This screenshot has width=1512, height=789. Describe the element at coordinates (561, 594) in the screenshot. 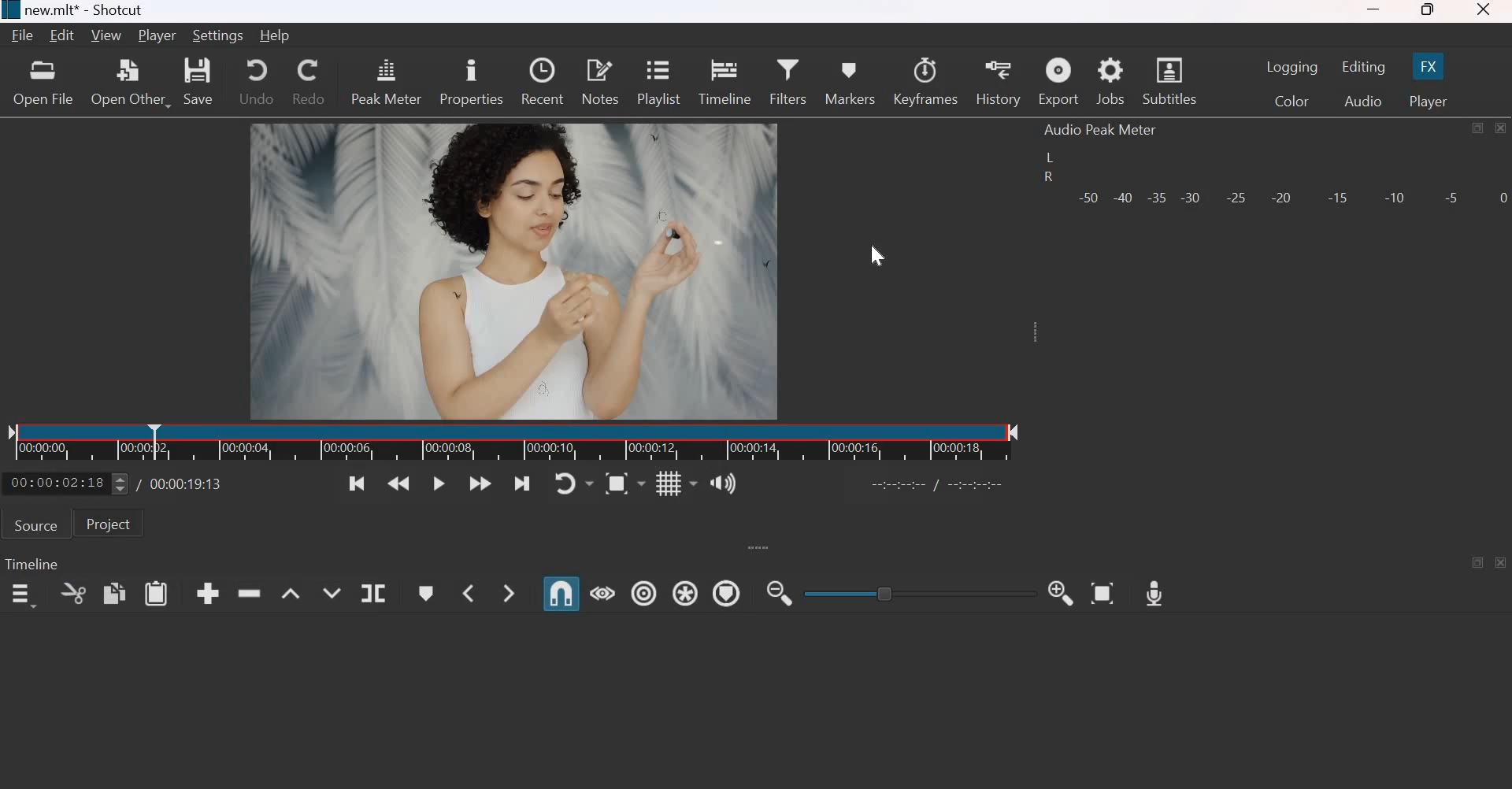

I see `Snap` at that location.